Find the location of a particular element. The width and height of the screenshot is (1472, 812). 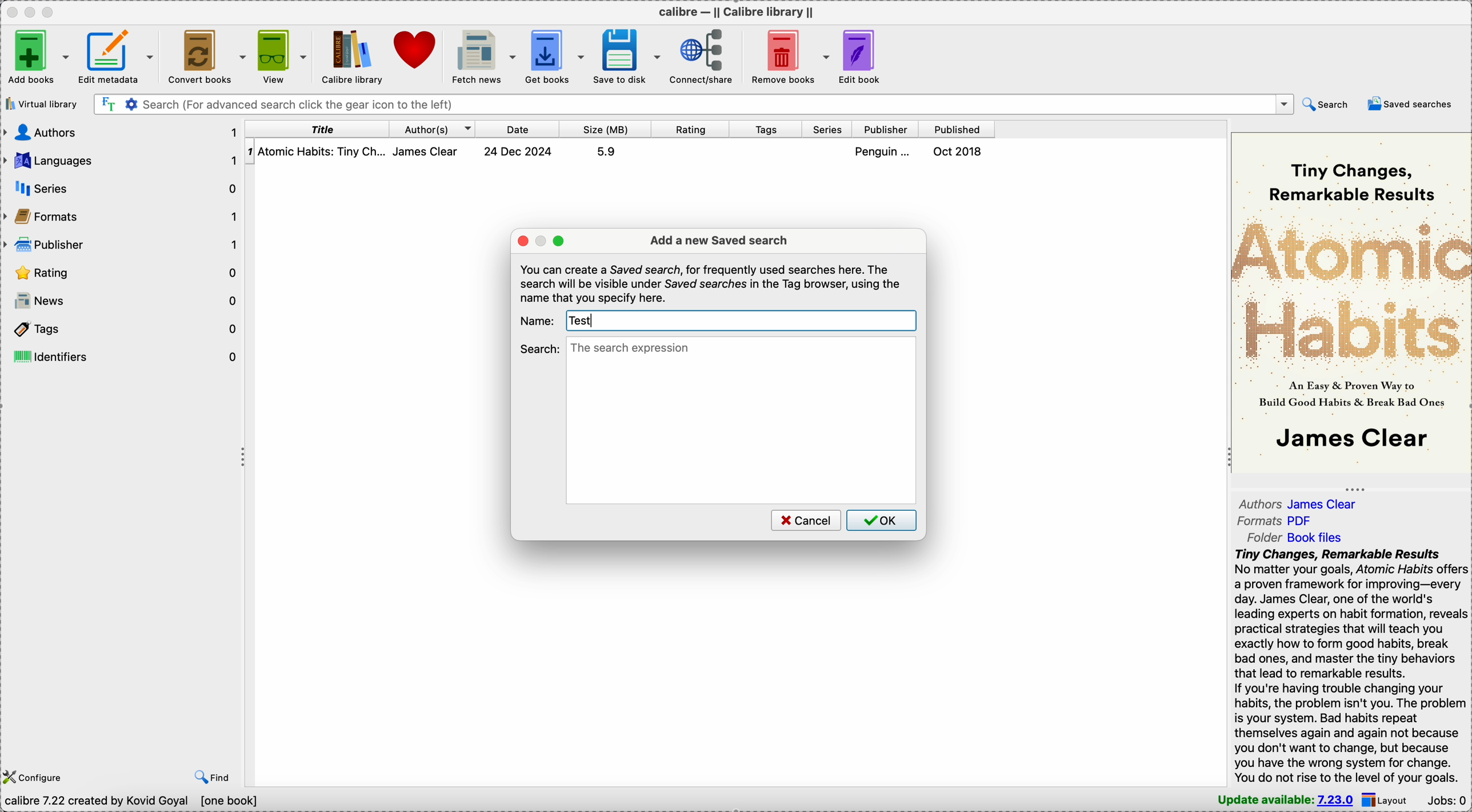

search is located at coordinates (1325, 103).